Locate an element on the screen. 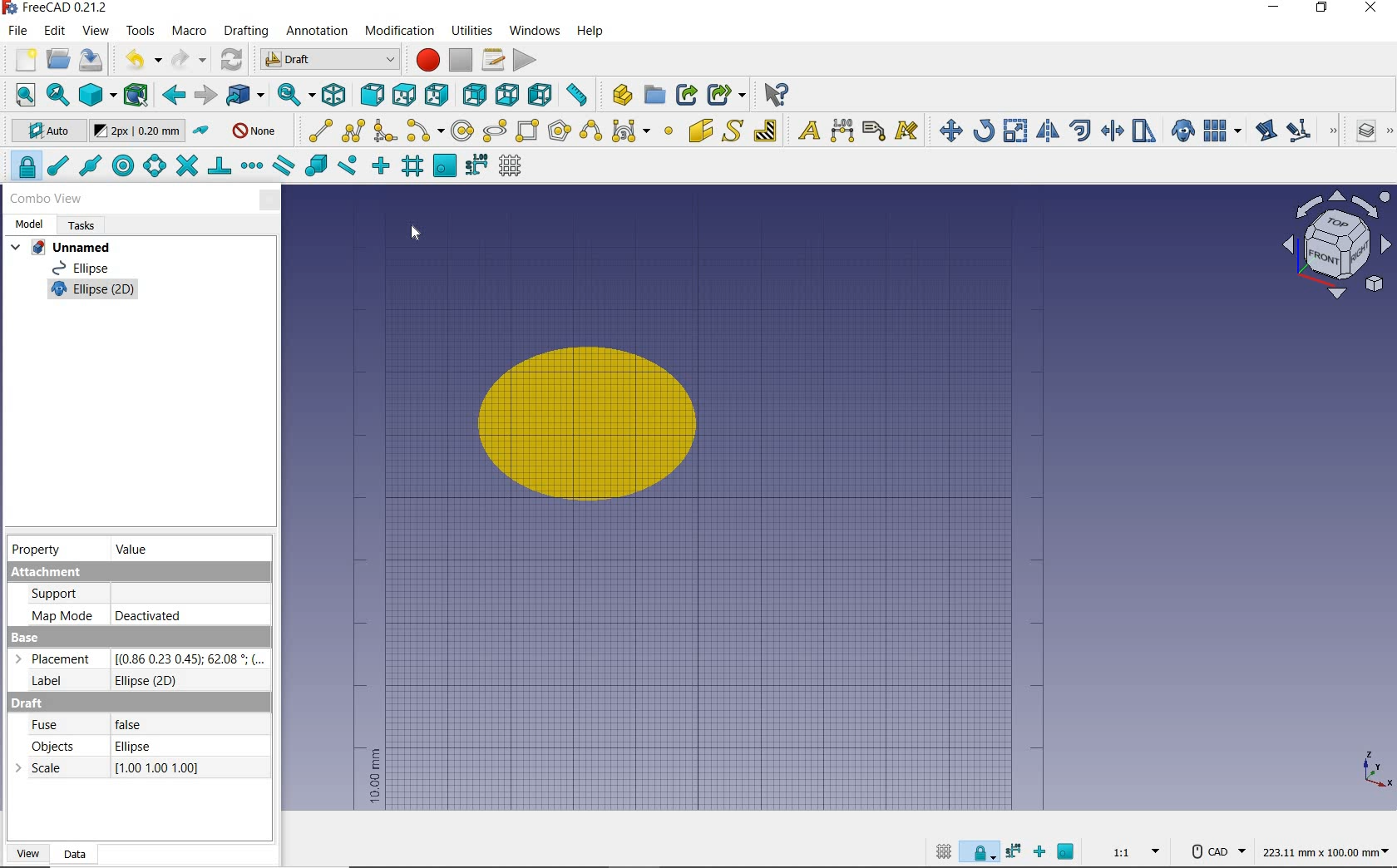  create part is located at coordinates (619, 94).